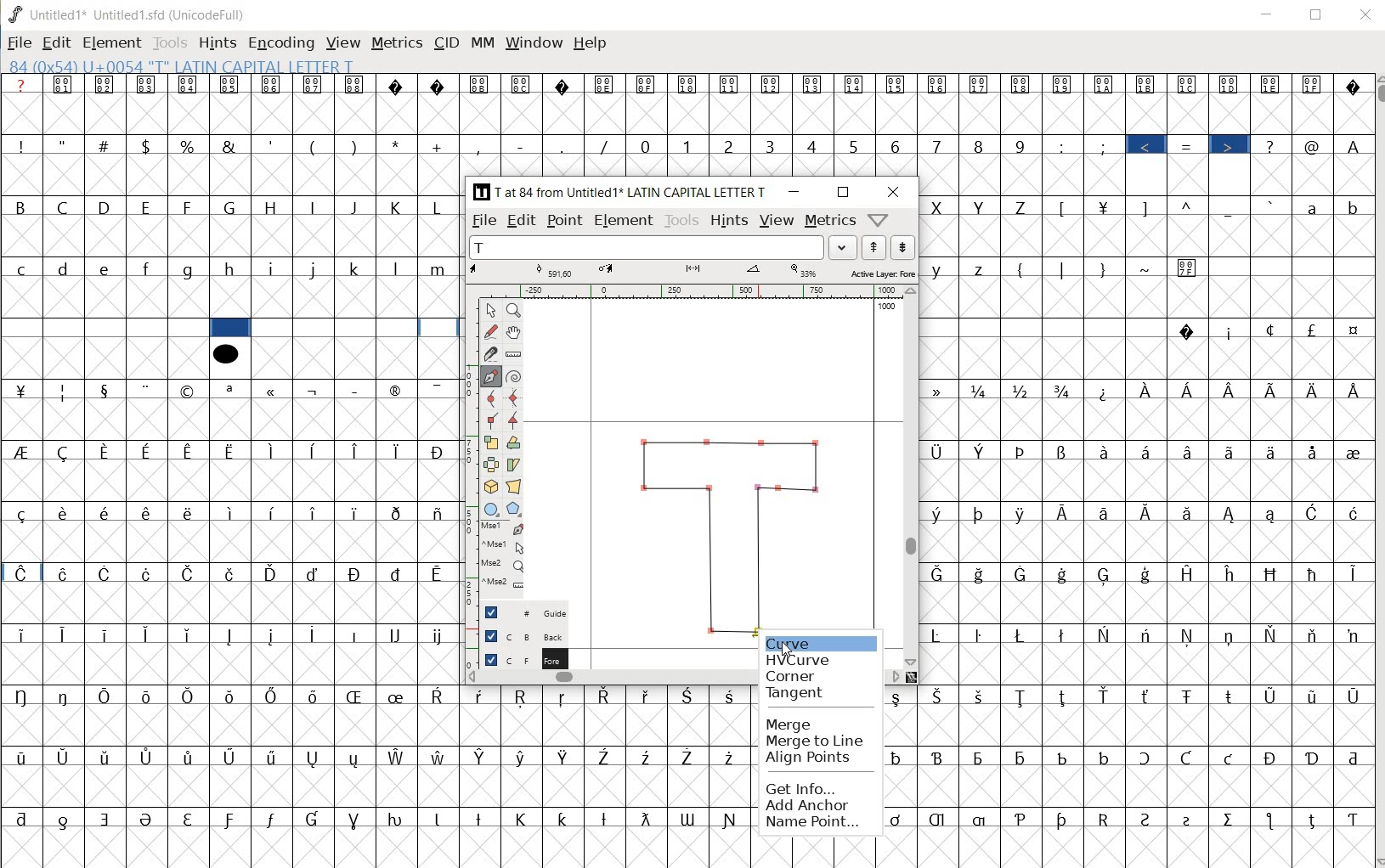 The height and width of the screenshot is (868, 1385). Describe the element at coordinates (439, 636) in the screenshot. I see `Symbol` at that location.